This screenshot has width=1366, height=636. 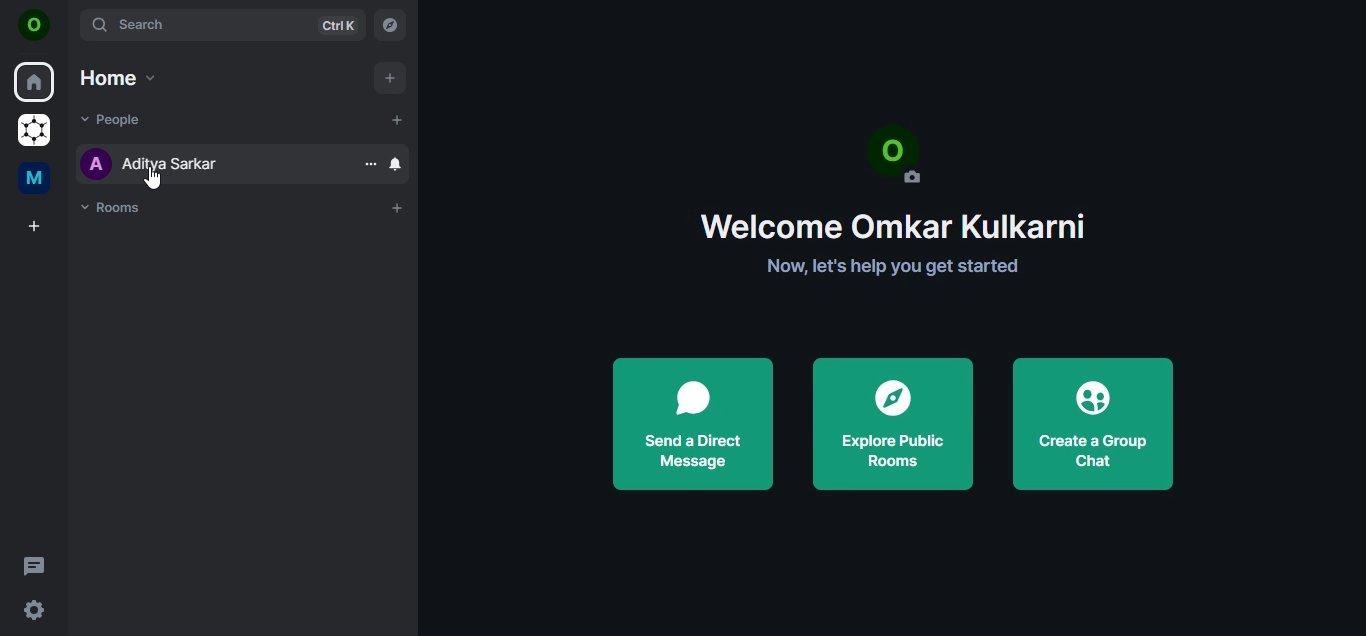 I want to click on home, so click(x=120, y=77).